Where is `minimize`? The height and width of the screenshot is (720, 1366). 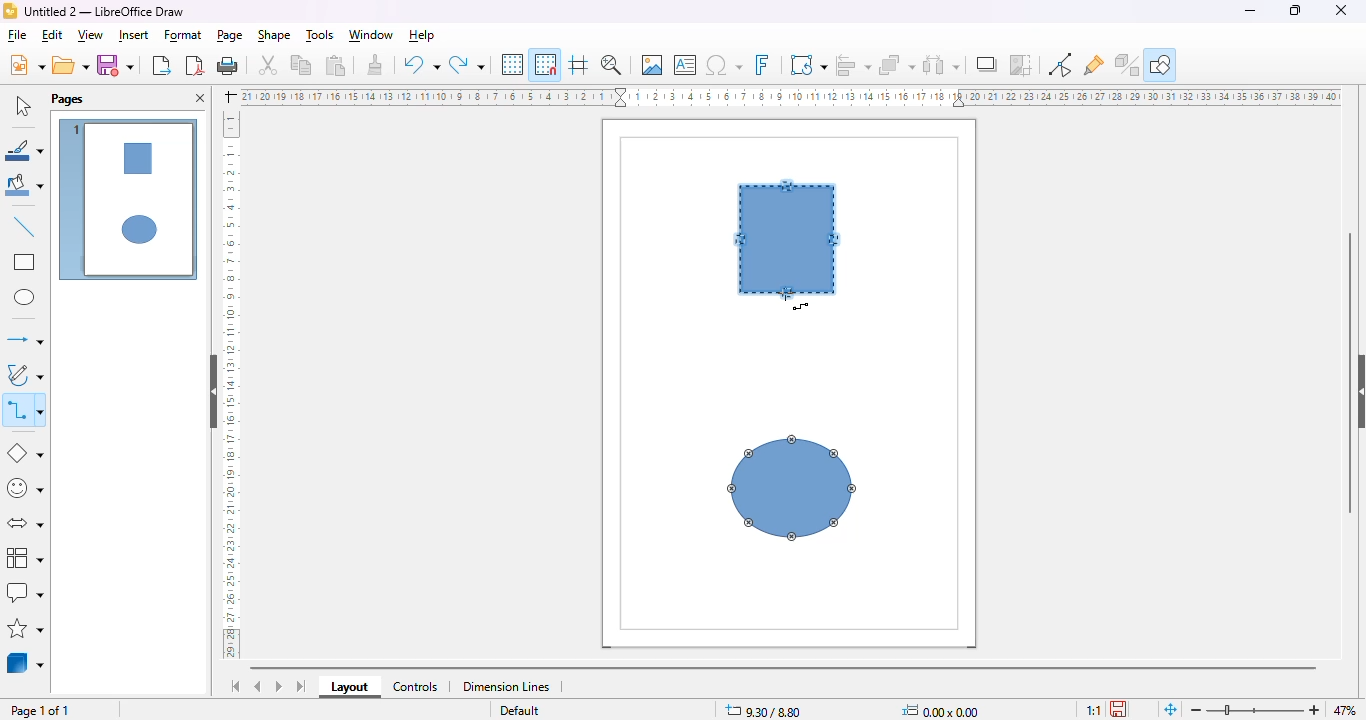
minimize is located at coordinates (1250, 11).